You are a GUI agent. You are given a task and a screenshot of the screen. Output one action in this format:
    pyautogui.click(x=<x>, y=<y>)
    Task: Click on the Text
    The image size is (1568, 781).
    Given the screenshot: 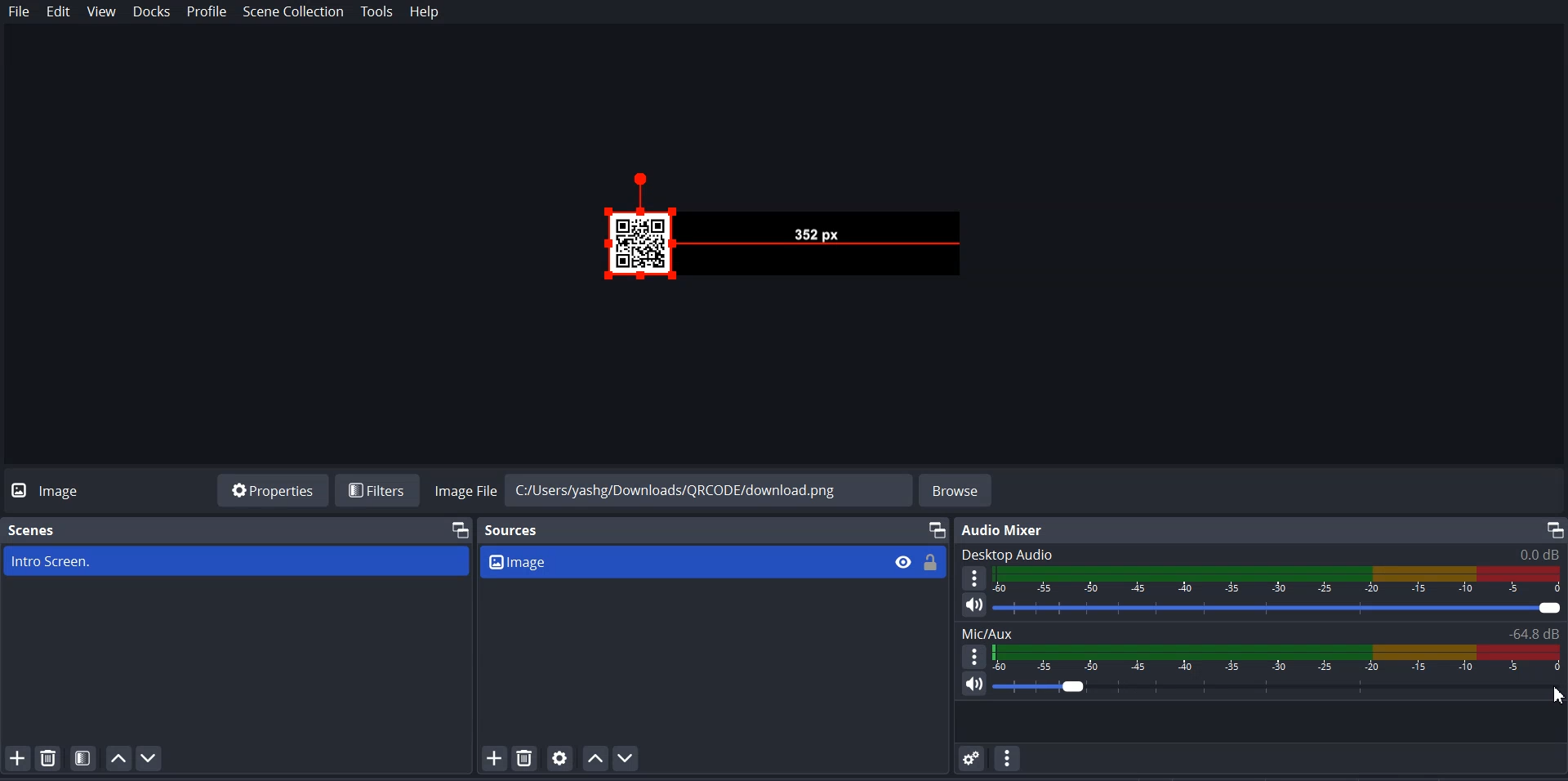 What is the action you would take?
    pyautogui.click(x=1261, y=554)
    